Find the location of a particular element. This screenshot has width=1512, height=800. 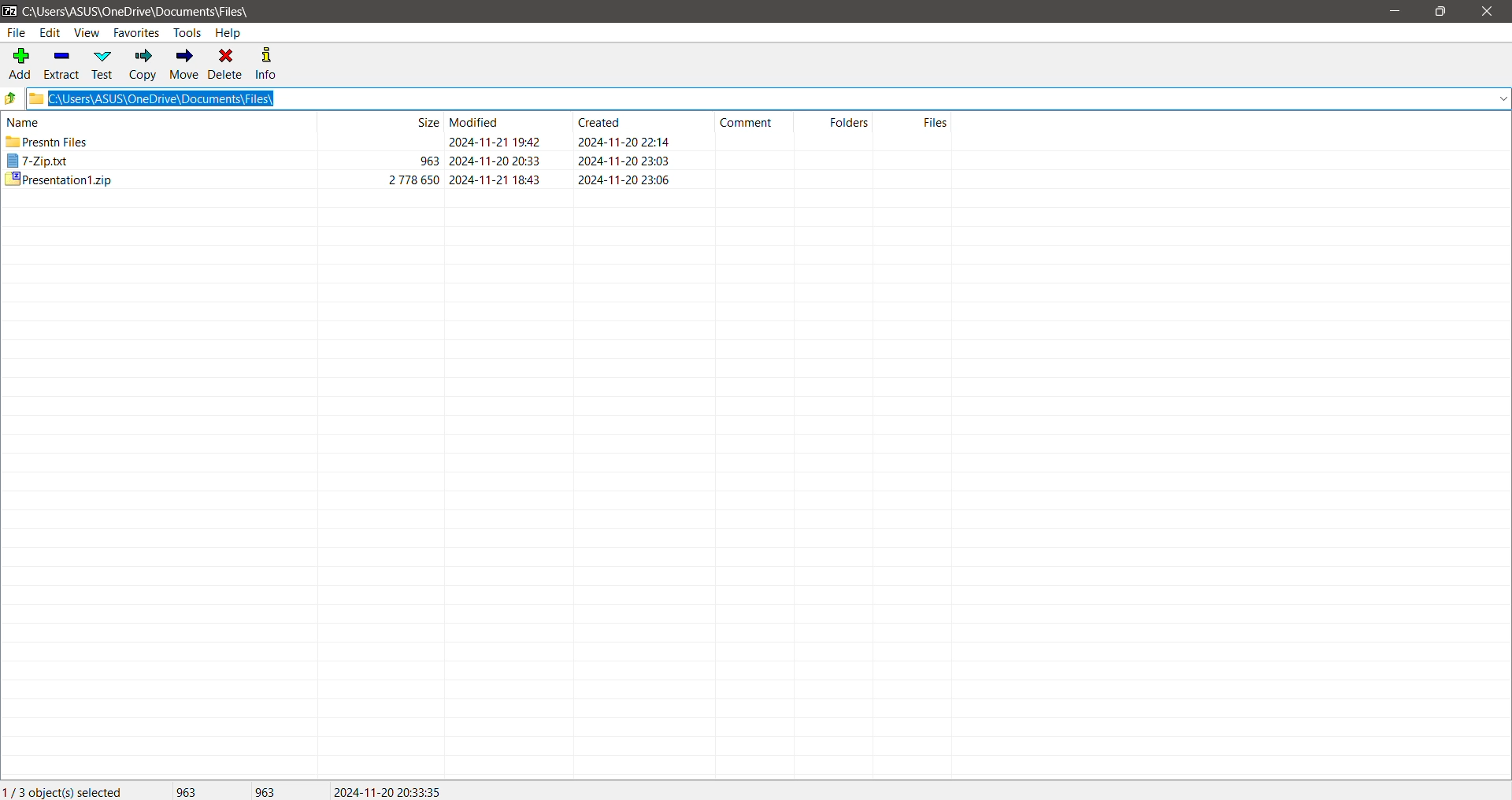

7-Zip.txt is located at coordinates (37, 159).